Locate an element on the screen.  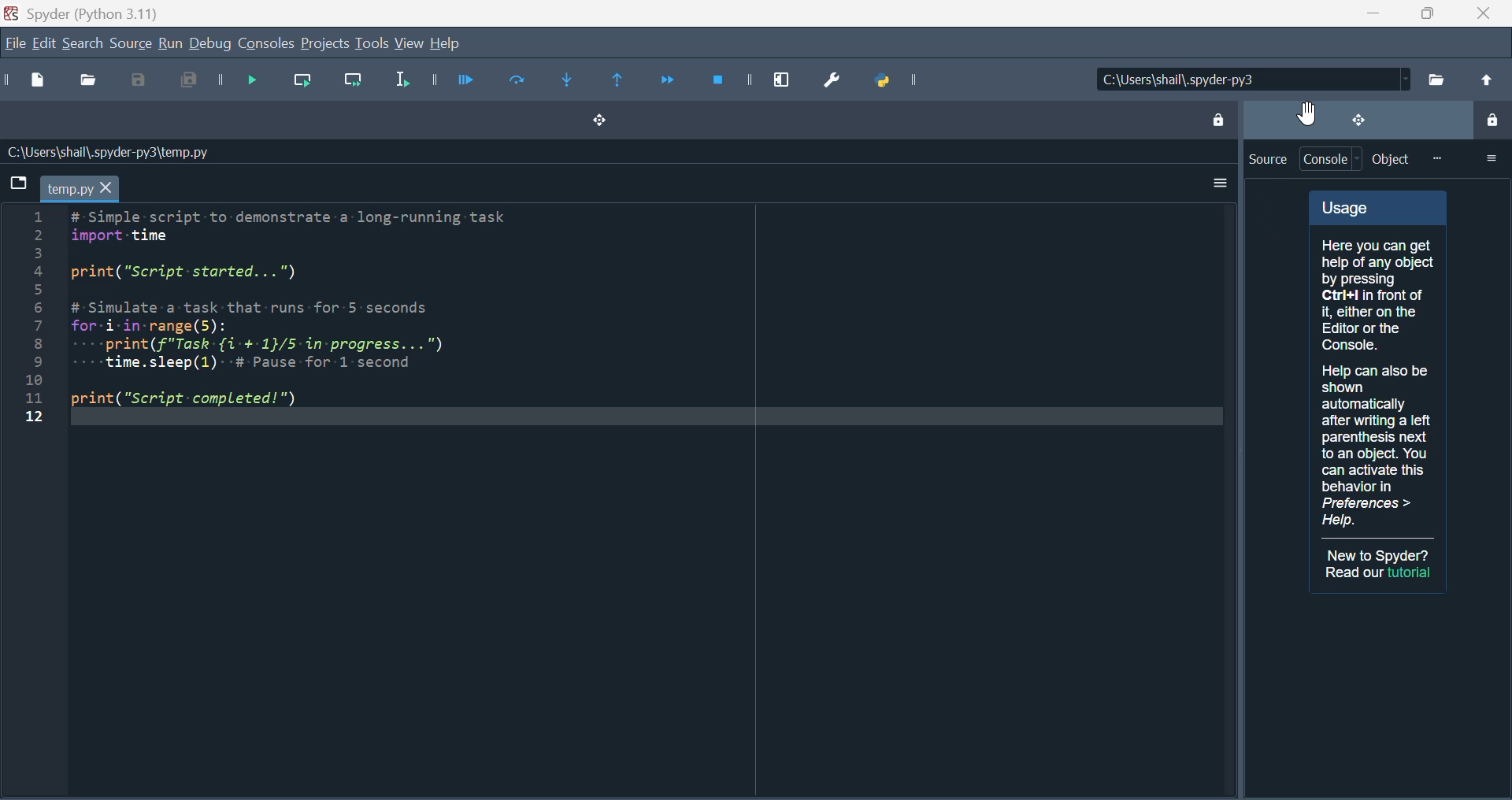
Step into function is located at coordinates (575, 83).